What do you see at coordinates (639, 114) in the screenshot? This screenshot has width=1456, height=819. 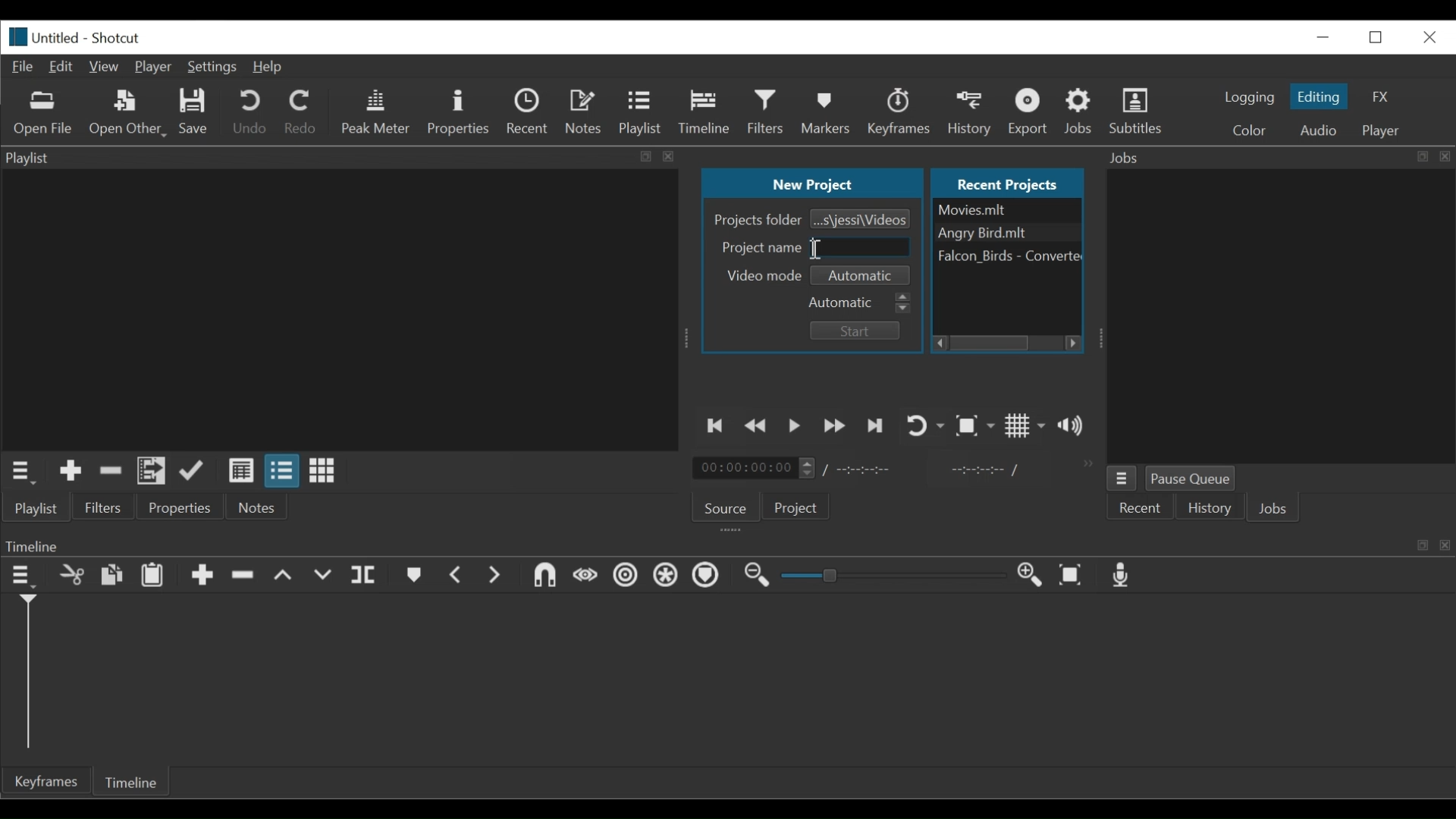 I see `Playlist` at bounding box center [639, 114].